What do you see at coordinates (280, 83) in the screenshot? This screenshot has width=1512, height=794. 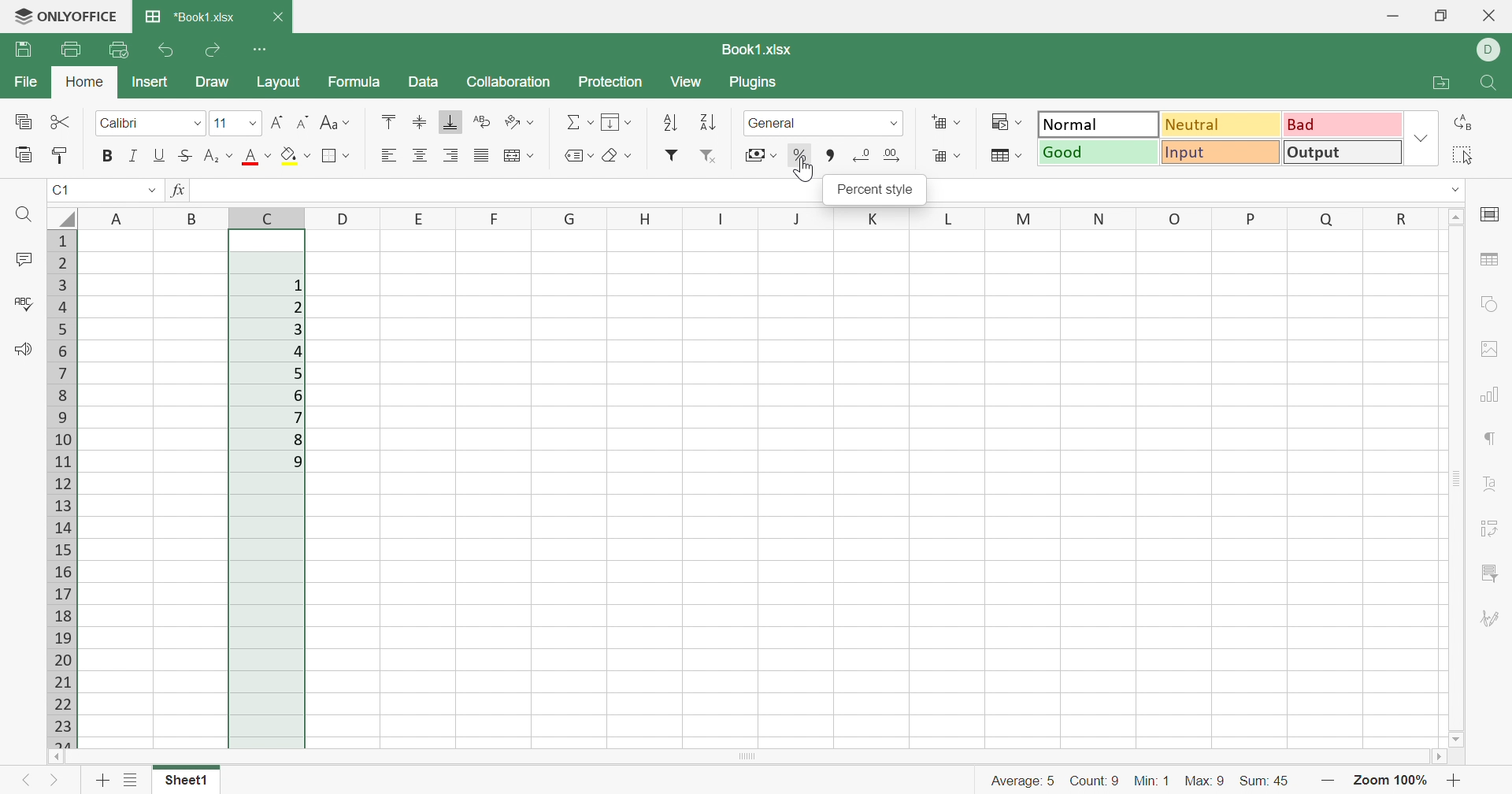 I see `Layout` at bounding box center [280, 83].